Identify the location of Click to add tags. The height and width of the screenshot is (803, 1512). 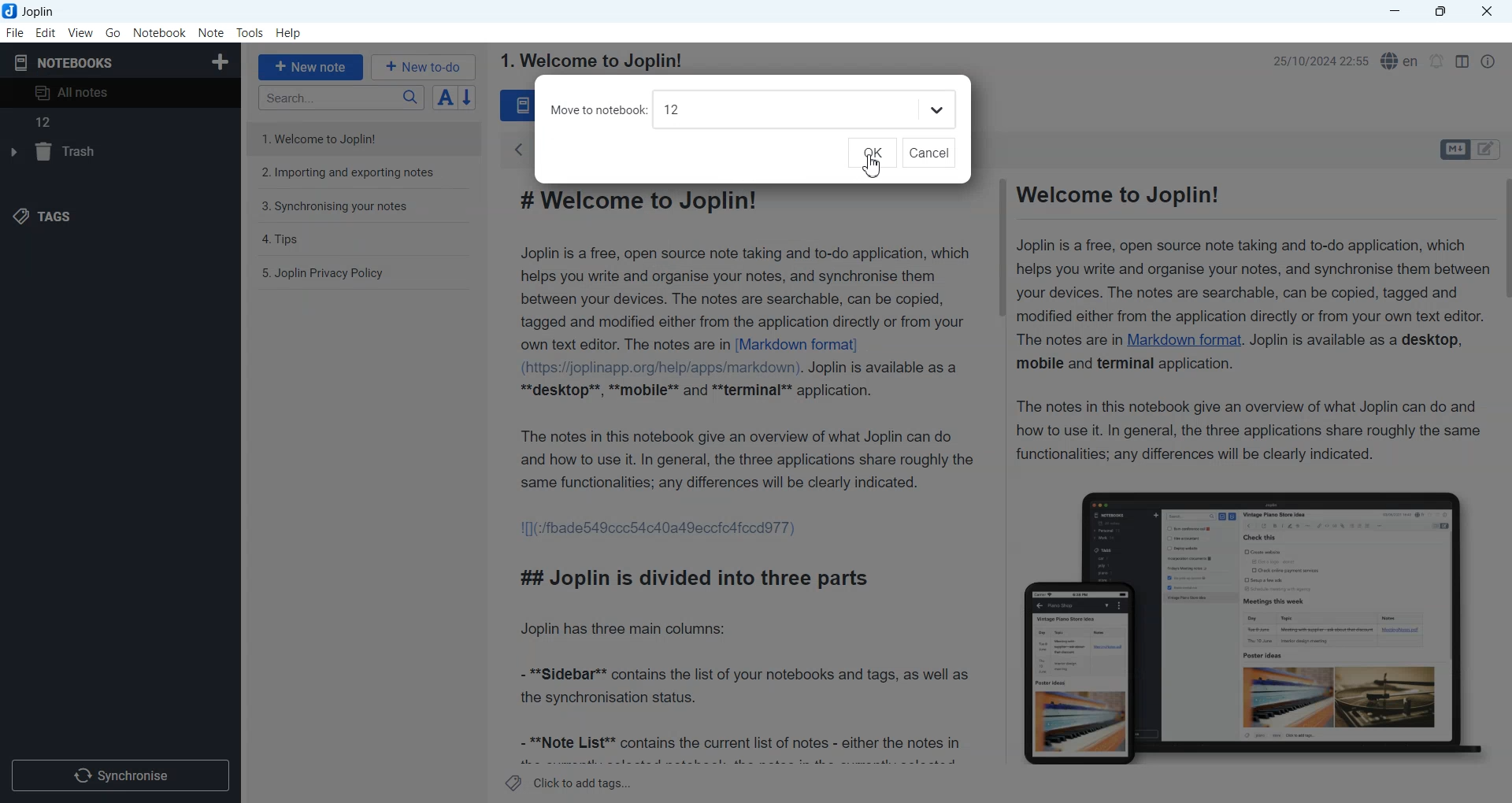
(569, 783).